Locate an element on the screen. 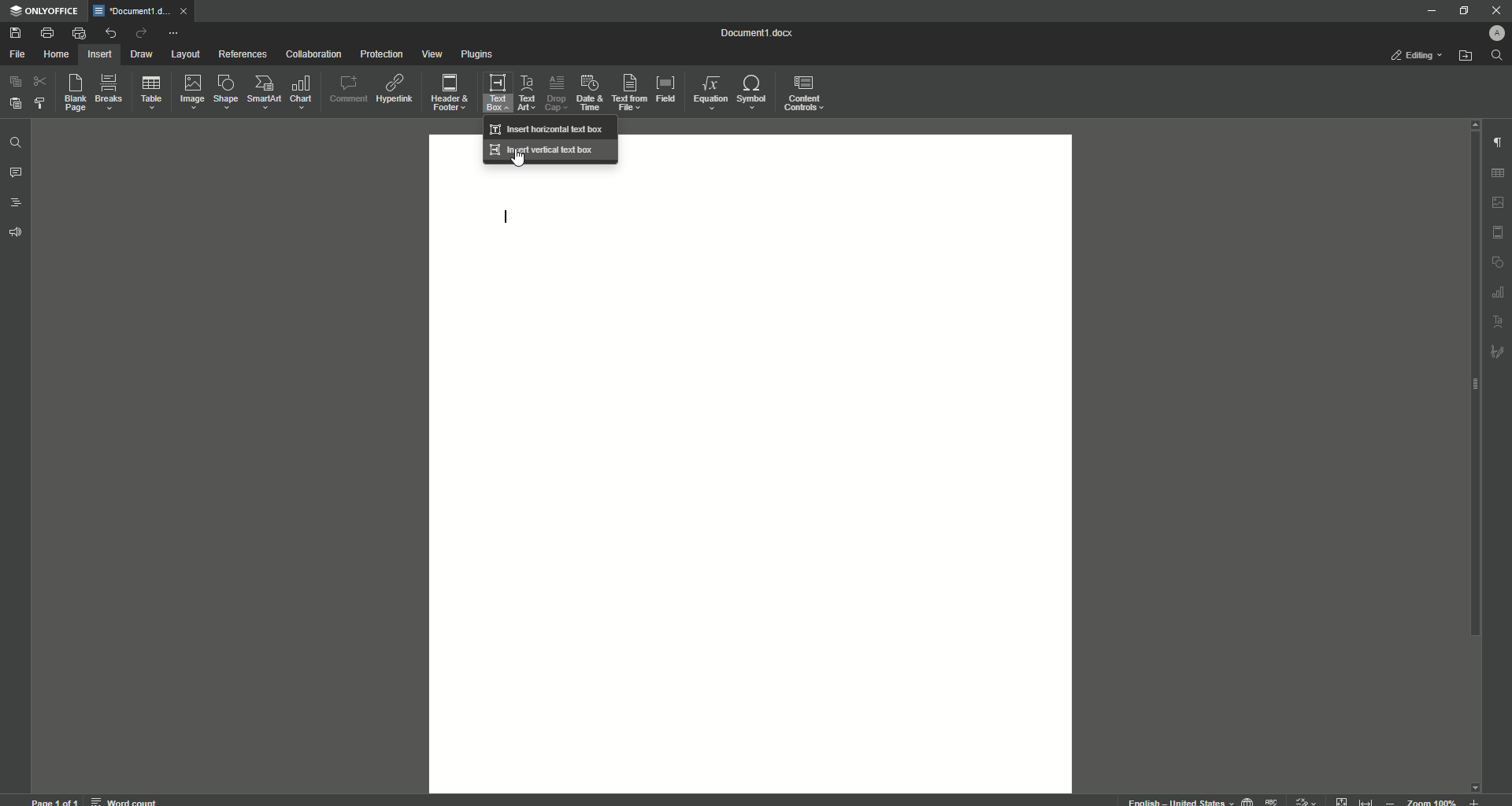 The image size is (1512, 806). Insert Vertical Text Box is located at coordinates (545, 150).